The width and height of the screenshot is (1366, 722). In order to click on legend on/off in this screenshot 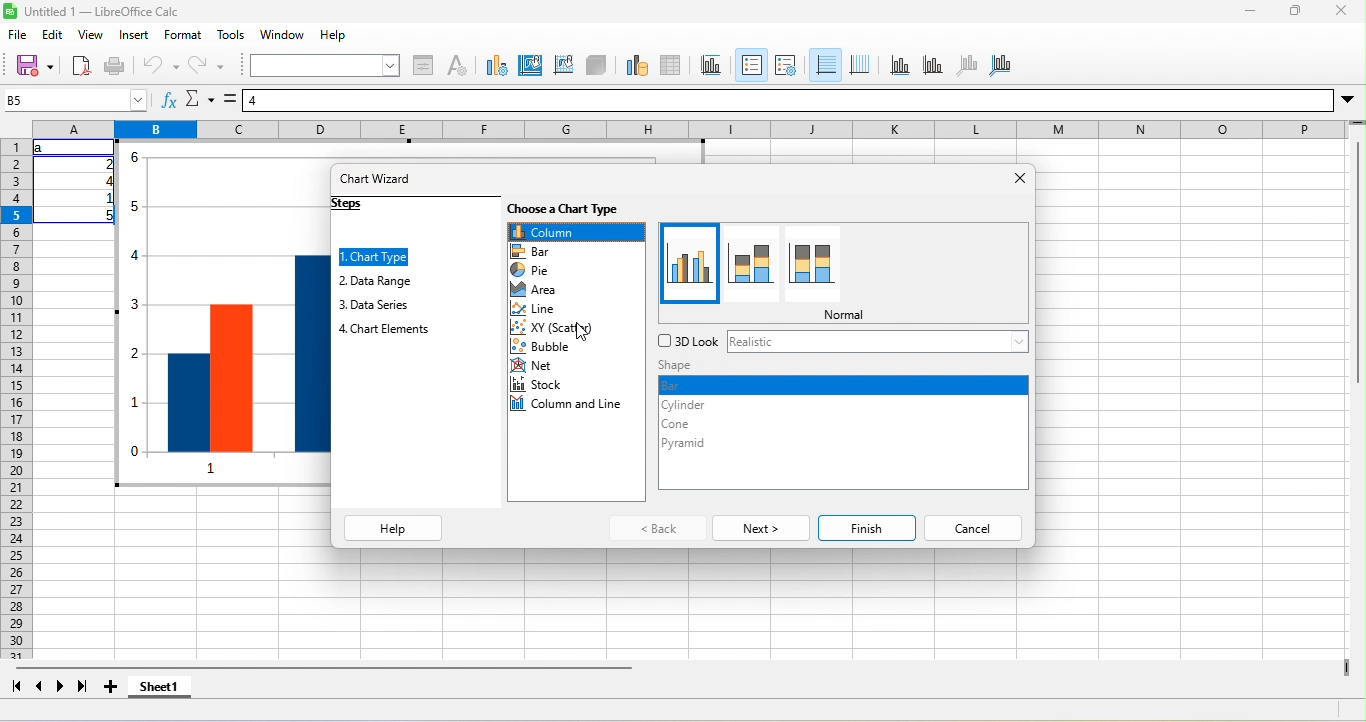, I will do `click(752, 65)`.